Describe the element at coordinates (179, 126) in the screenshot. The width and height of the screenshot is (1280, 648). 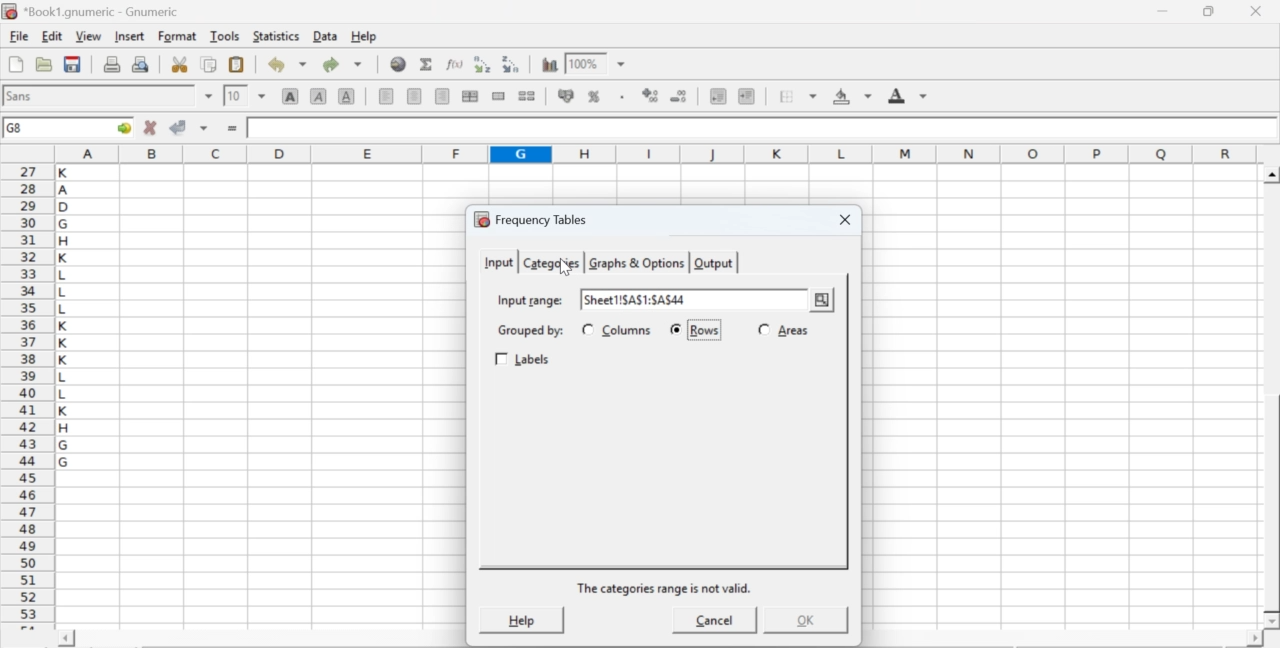
I see `accept changes` at that location.